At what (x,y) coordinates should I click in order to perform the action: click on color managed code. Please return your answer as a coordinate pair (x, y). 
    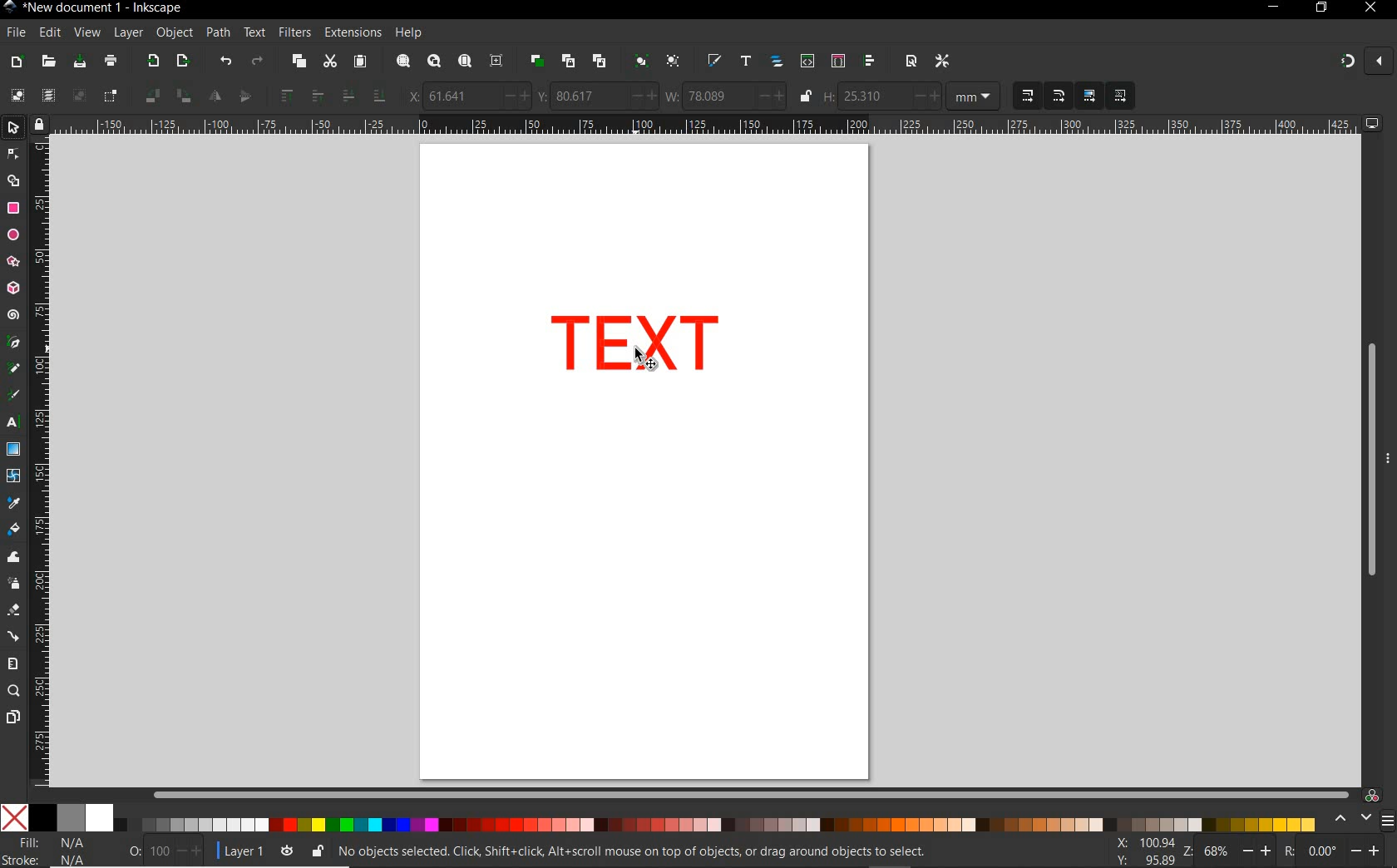
    Looking at the image, I should click on (1372, 795).